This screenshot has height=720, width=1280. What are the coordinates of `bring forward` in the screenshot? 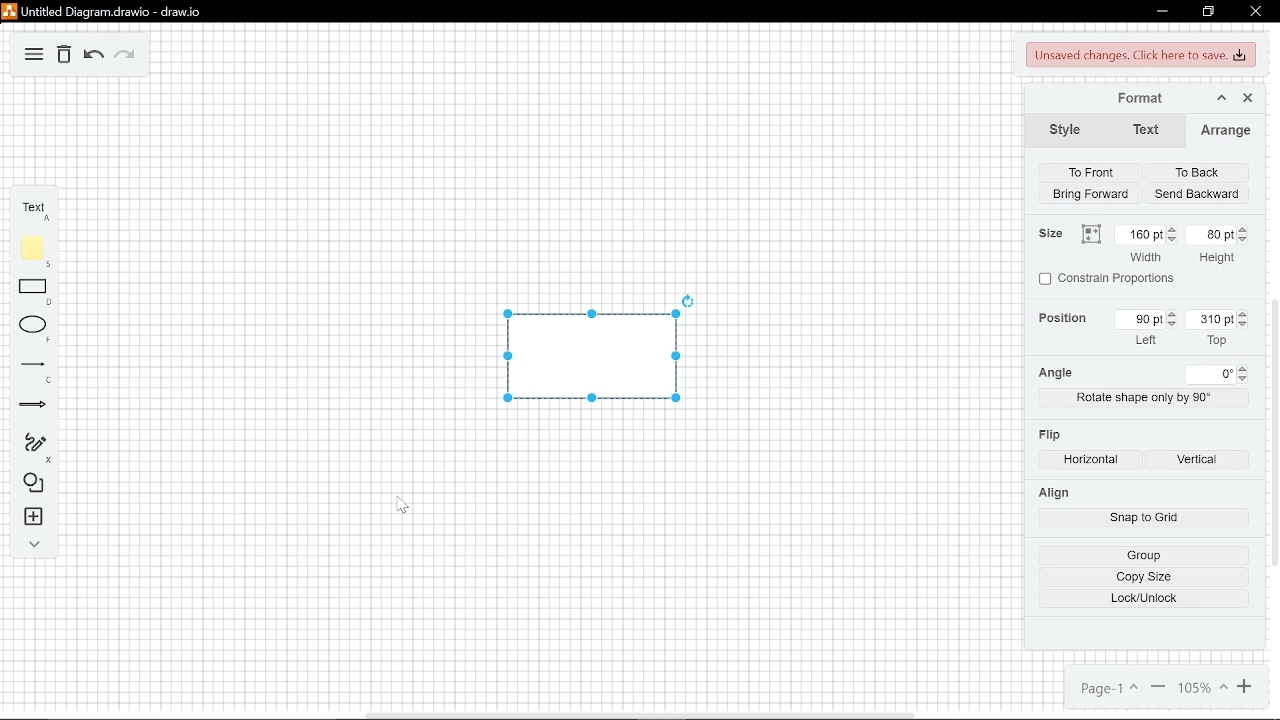 It's located at (1089, 194).